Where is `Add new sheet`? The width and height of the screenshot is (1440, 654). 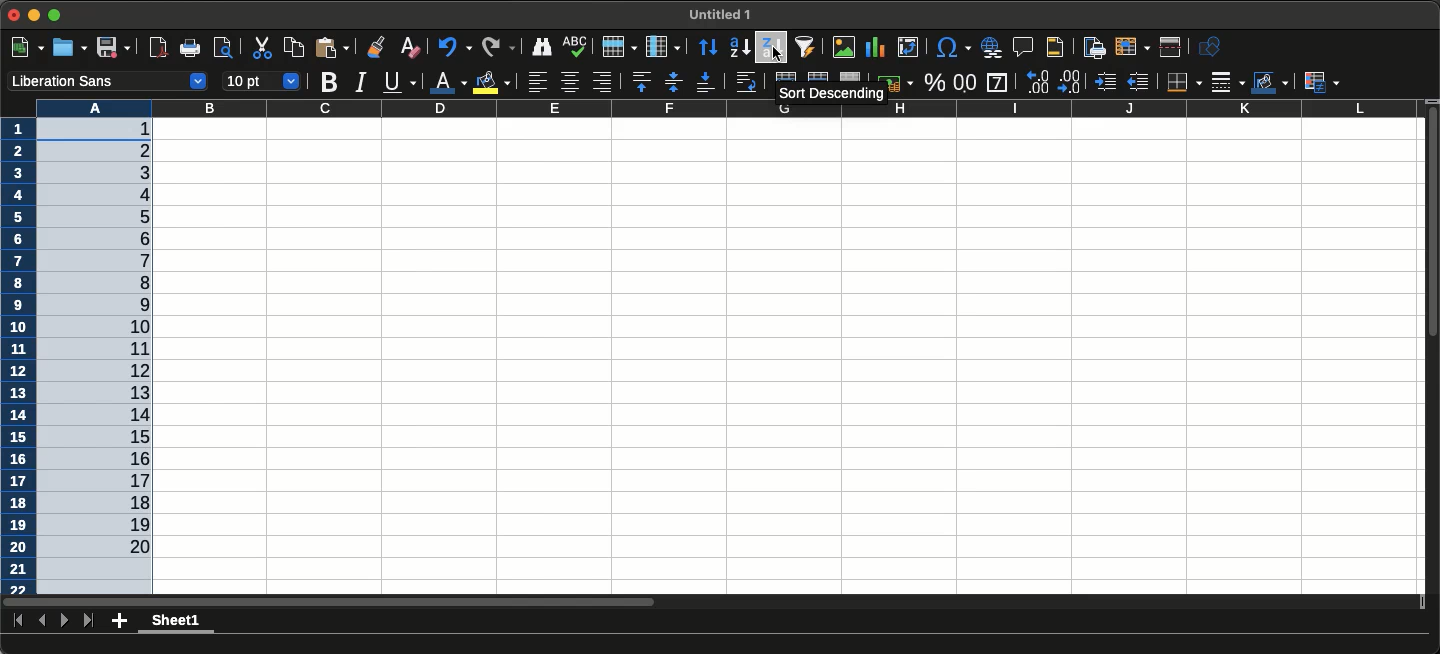 Add new sheet is located at coordinates (119, 621).